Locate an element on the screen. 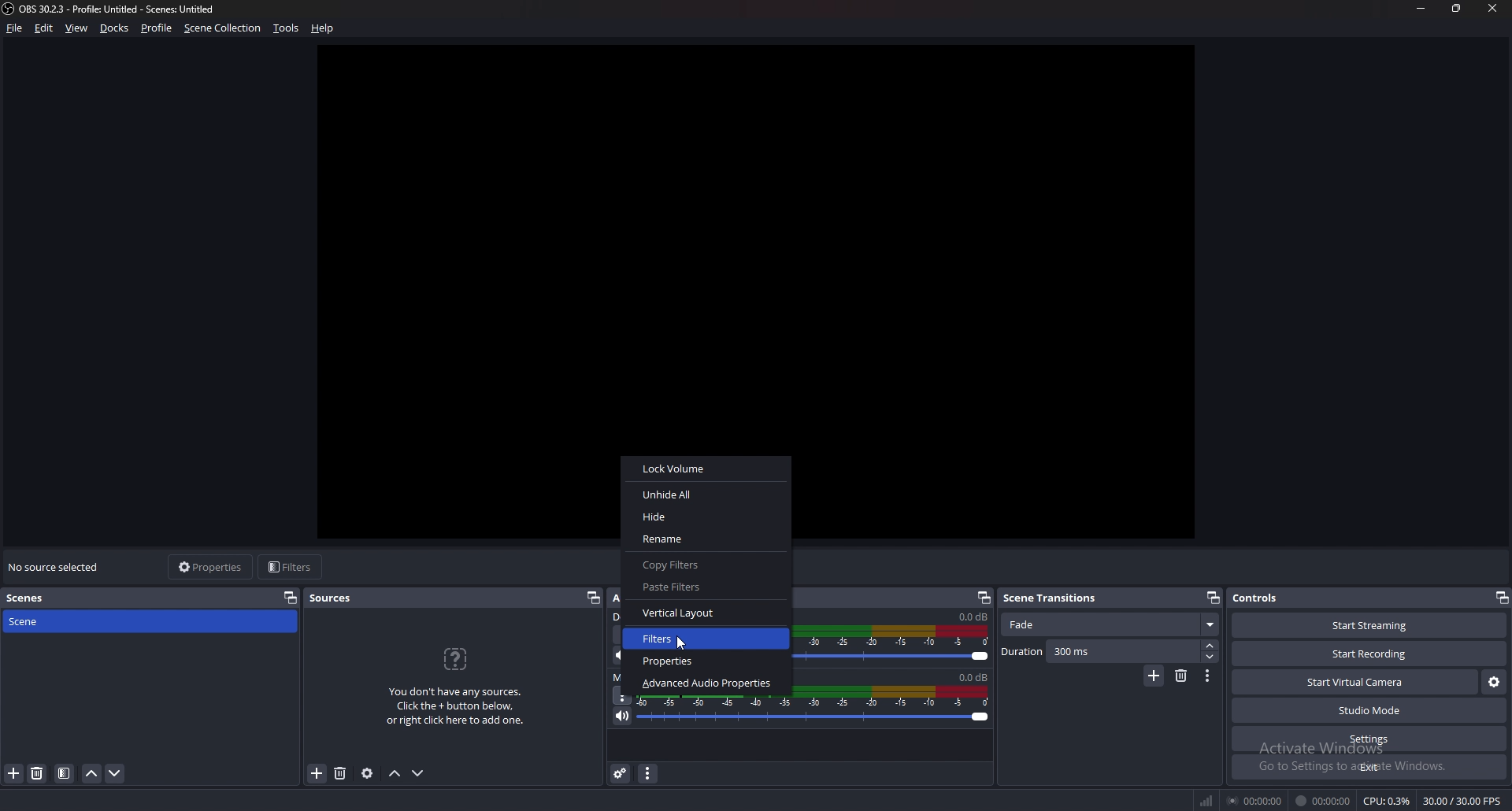 Image resolution: width=1512 pixels, height=811 pixels. 30.00/30.00 FPS is located at coordinates (1465, 801).